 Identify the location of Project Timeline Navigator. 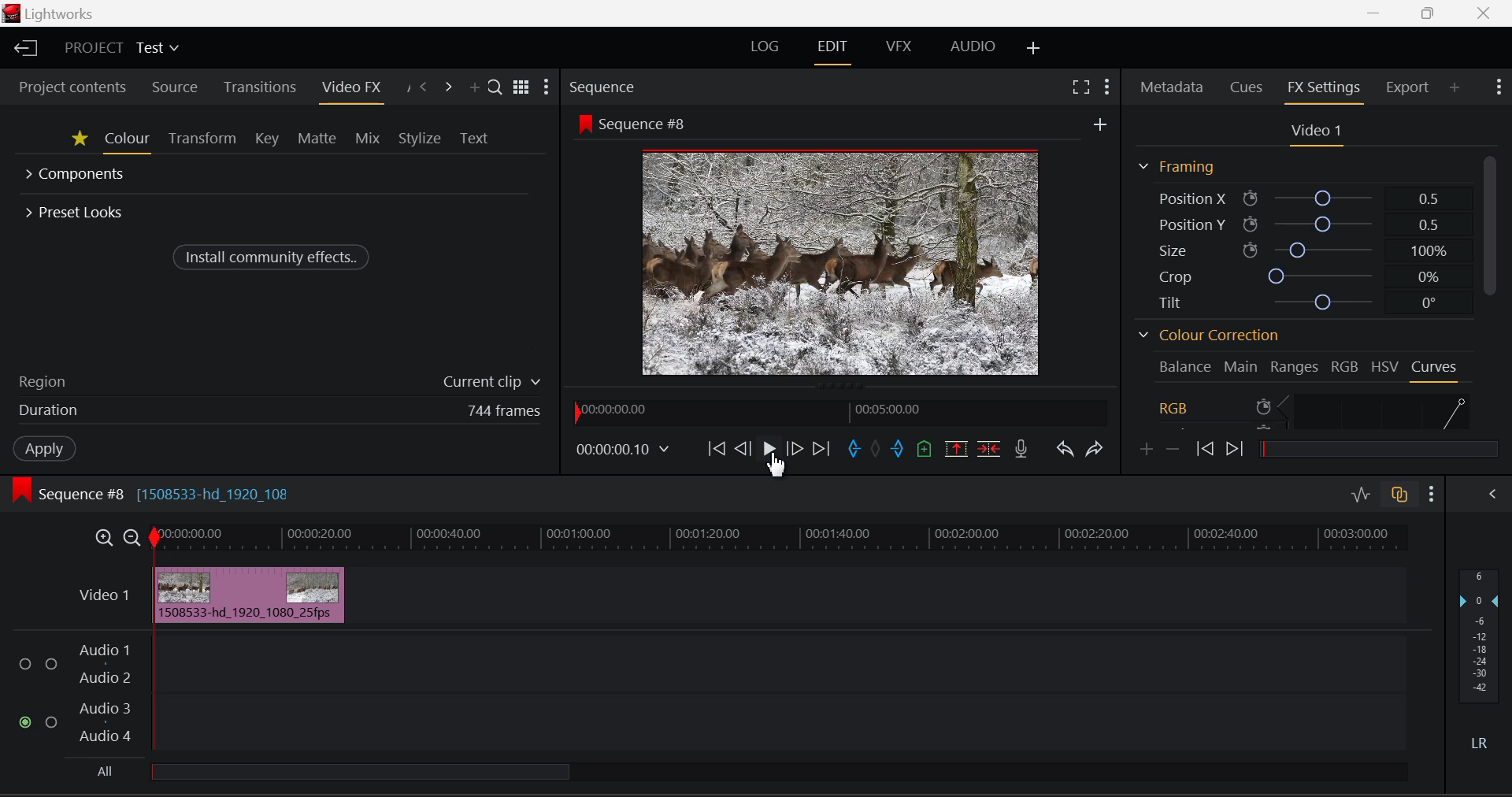
(840, 411).